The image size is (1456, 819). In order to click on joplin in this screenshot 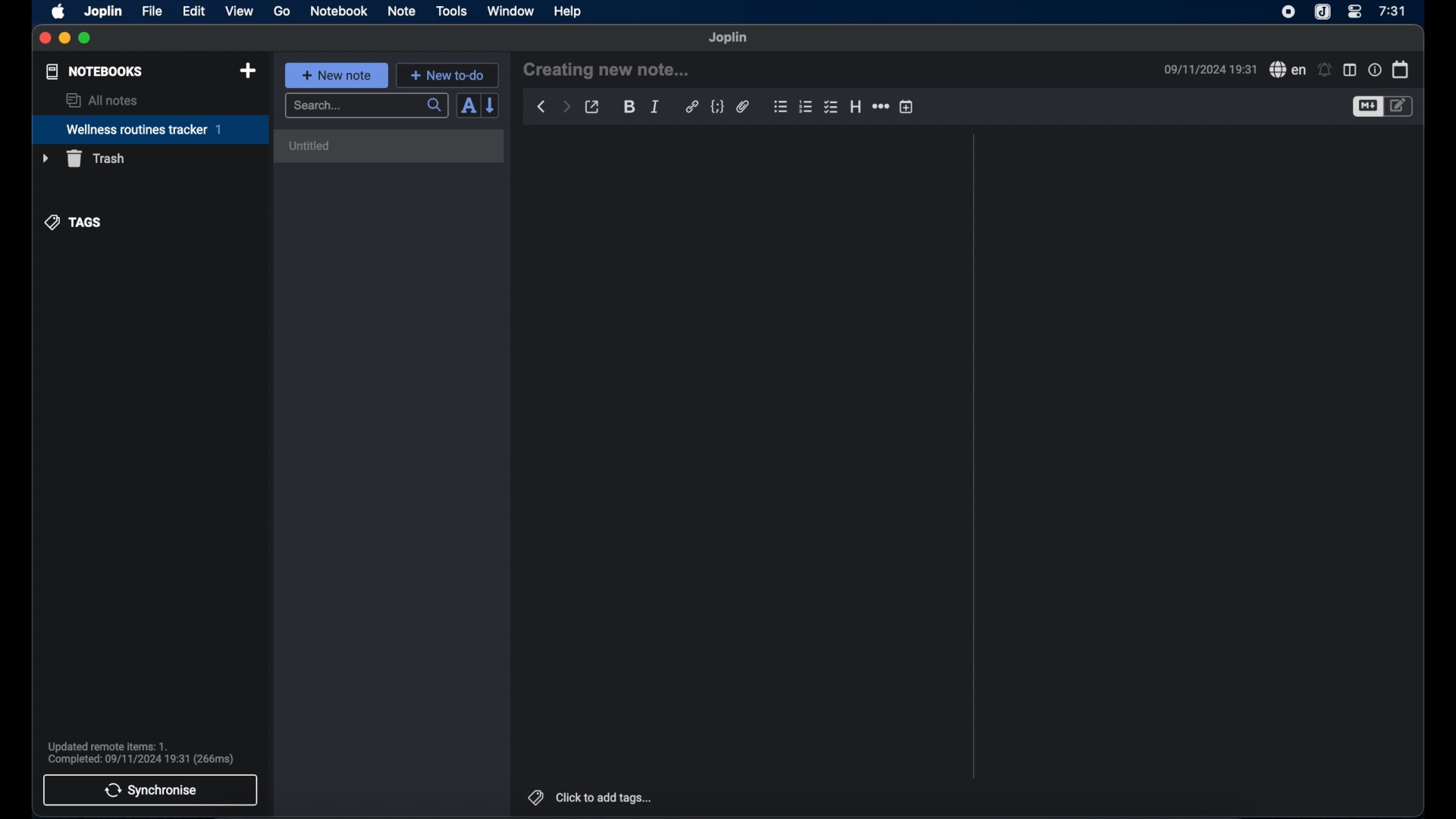, I will do `click(729, 38)`.